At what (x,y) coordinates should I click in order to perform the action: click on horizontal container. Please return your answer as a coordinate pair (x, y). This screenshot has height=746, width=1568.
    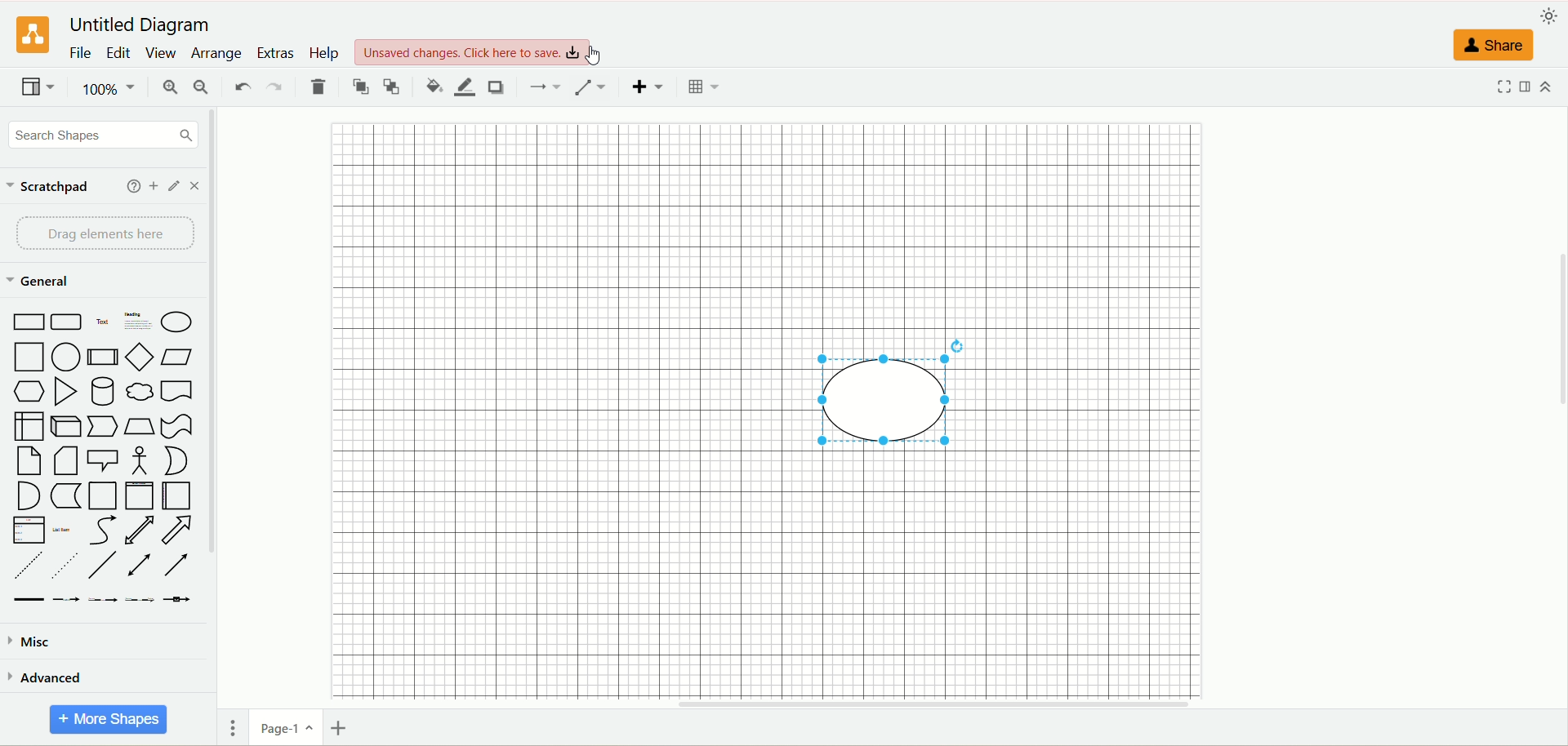
    Looking at the image, I should click on (180, 495).